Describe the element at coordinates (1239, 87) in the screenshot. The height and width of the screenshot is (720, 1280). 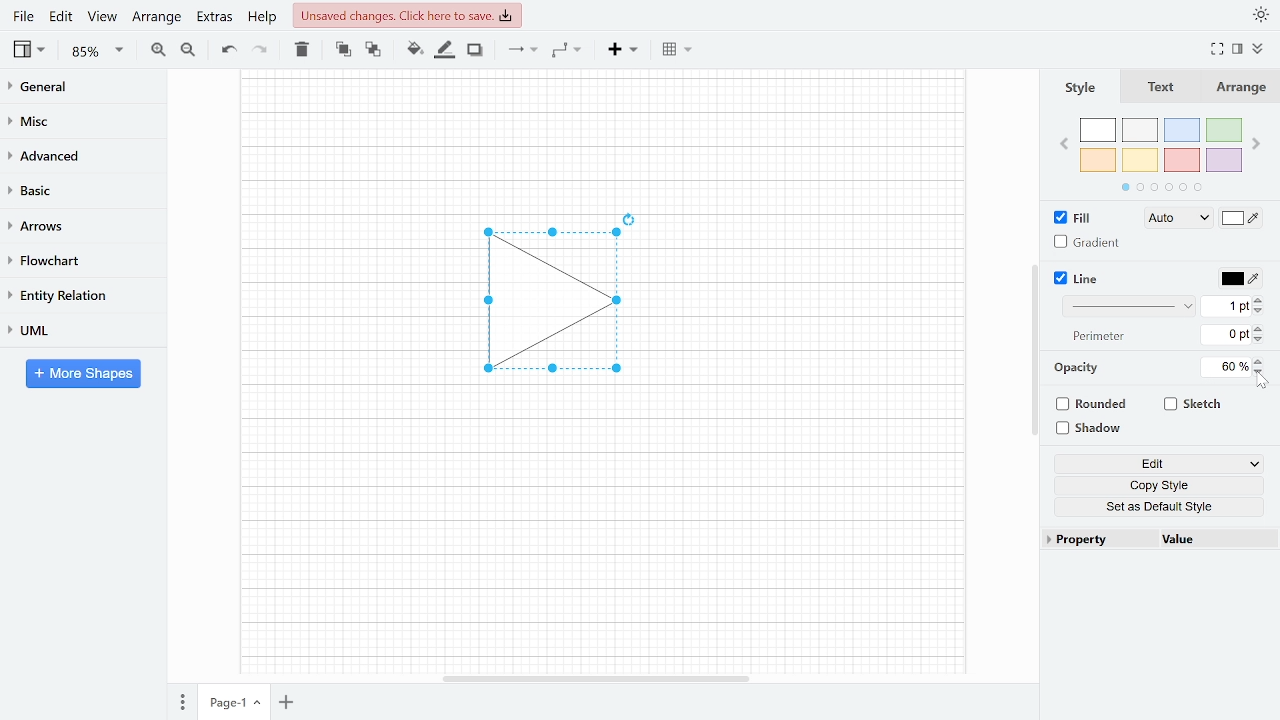
I see `Arrange` at that location.